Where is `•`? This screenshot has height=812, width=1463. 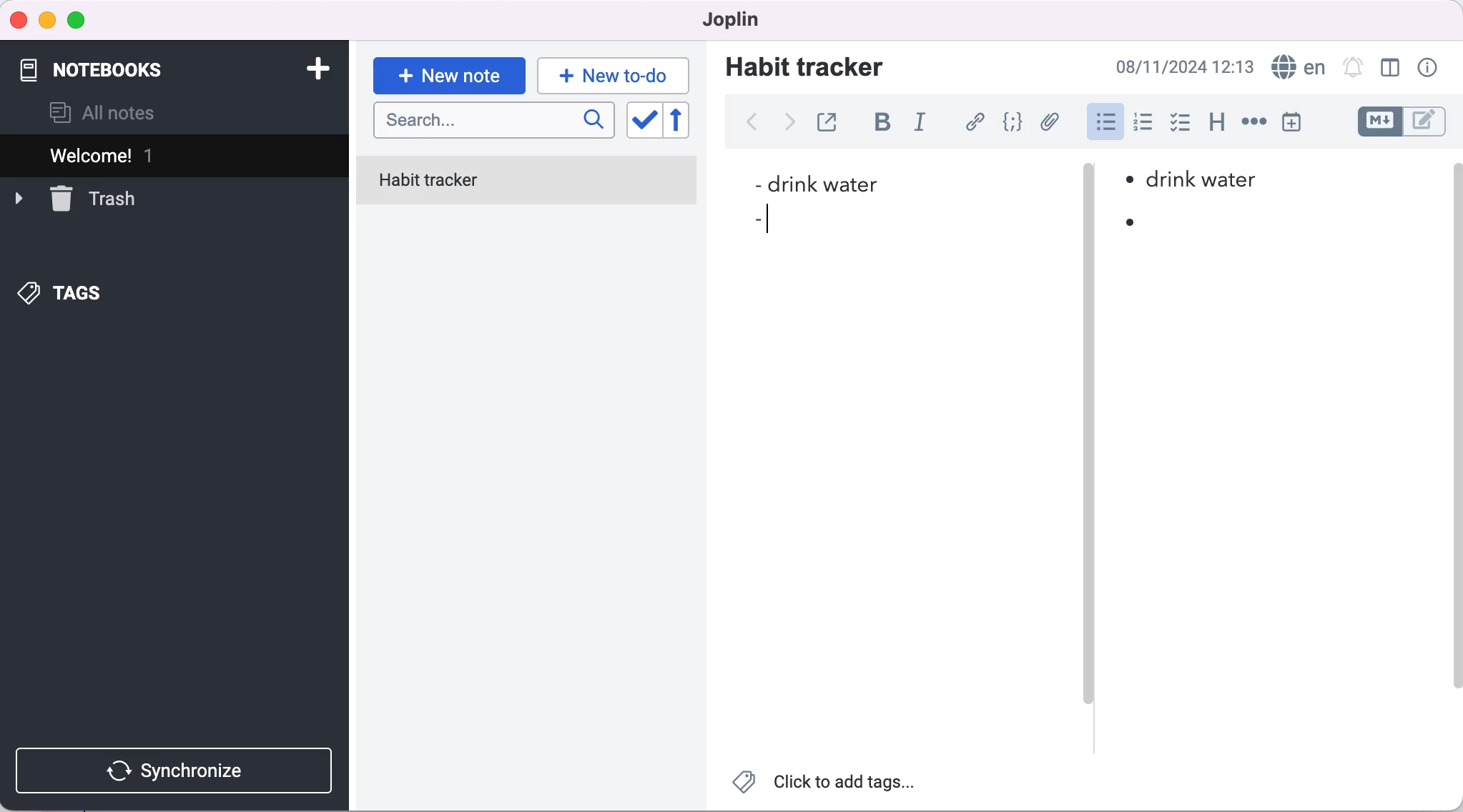
• is located at coordinates (1136, 224).